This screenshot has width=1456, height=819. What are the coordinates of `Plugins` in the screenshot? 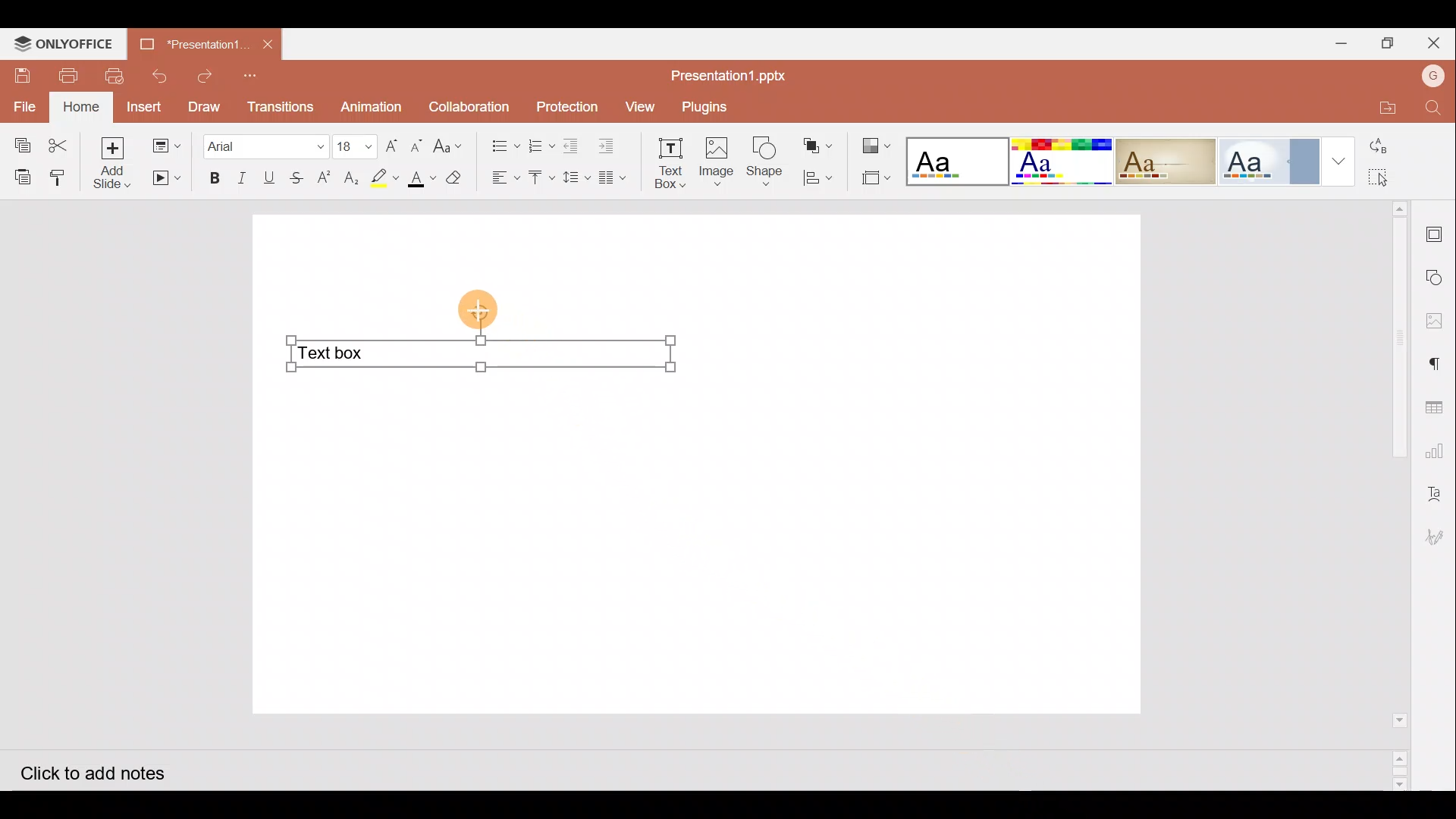 It's located at (707, 105).